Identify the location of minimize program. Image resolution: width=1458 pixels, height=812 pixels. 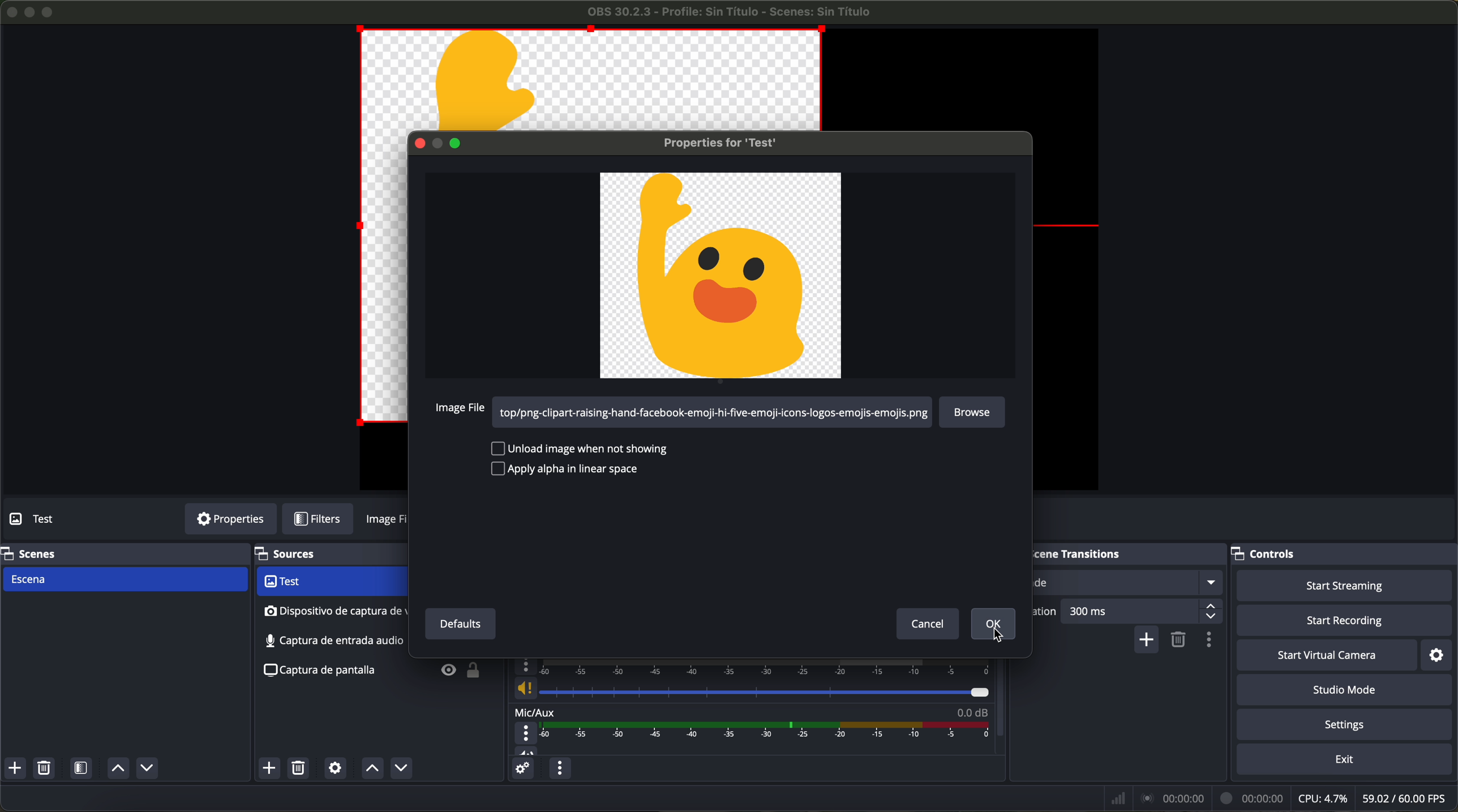
(30, 12).